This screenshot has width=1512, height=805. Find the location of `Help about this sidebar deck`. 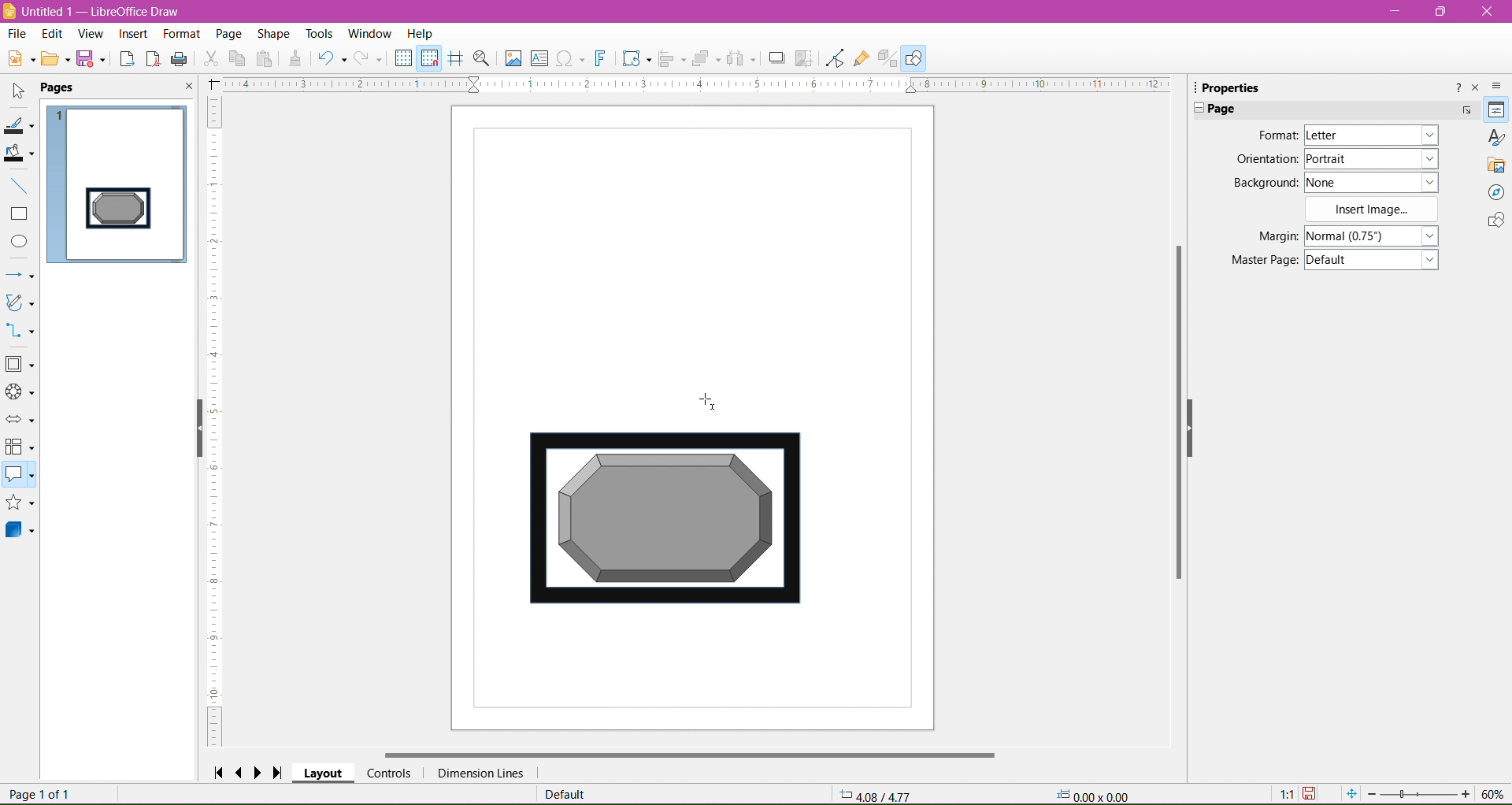

Help about this sidebar deck is located at coordinates (1456, 87).